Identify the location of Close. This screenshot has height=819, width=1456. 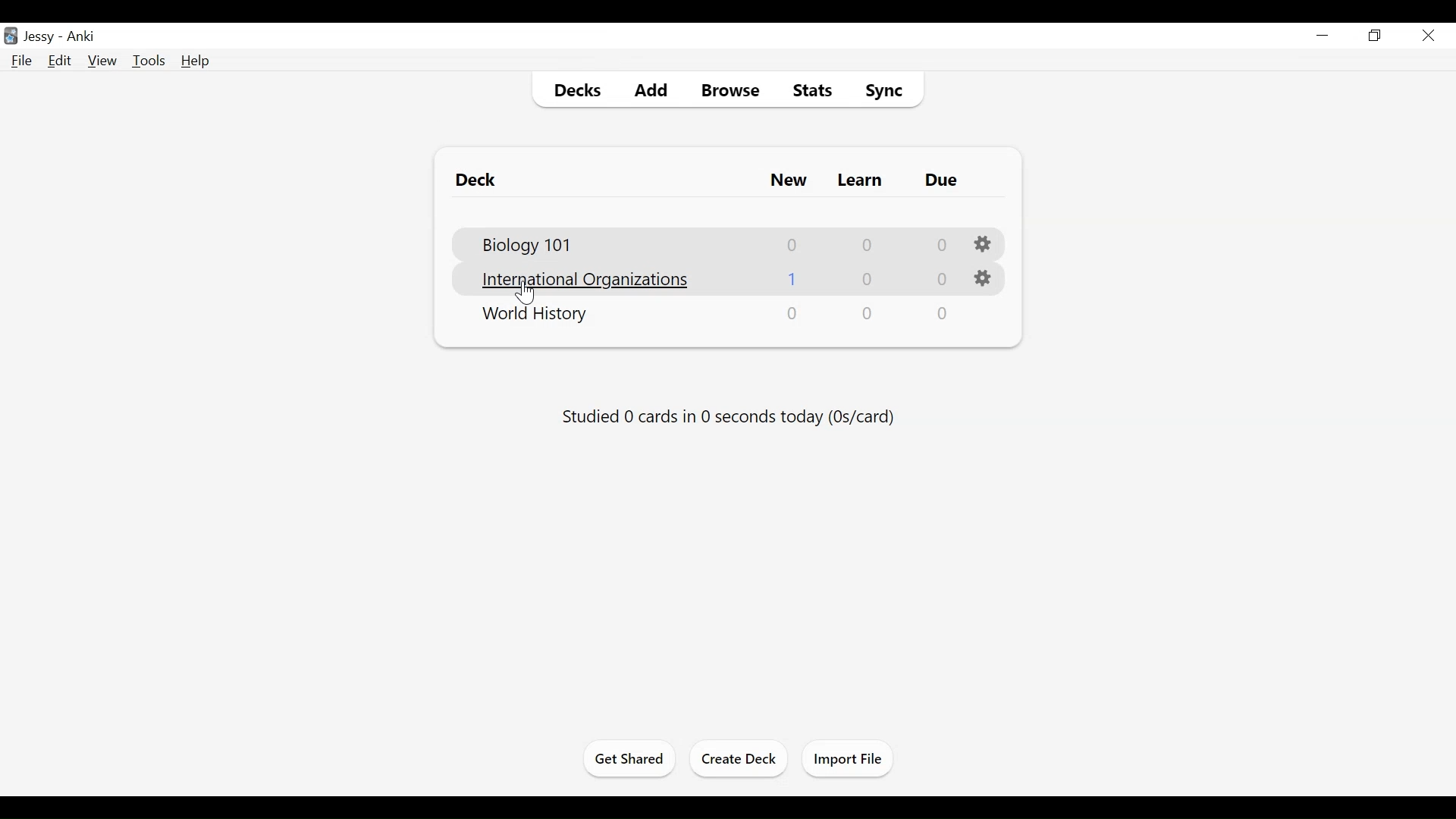
(1430, 35).